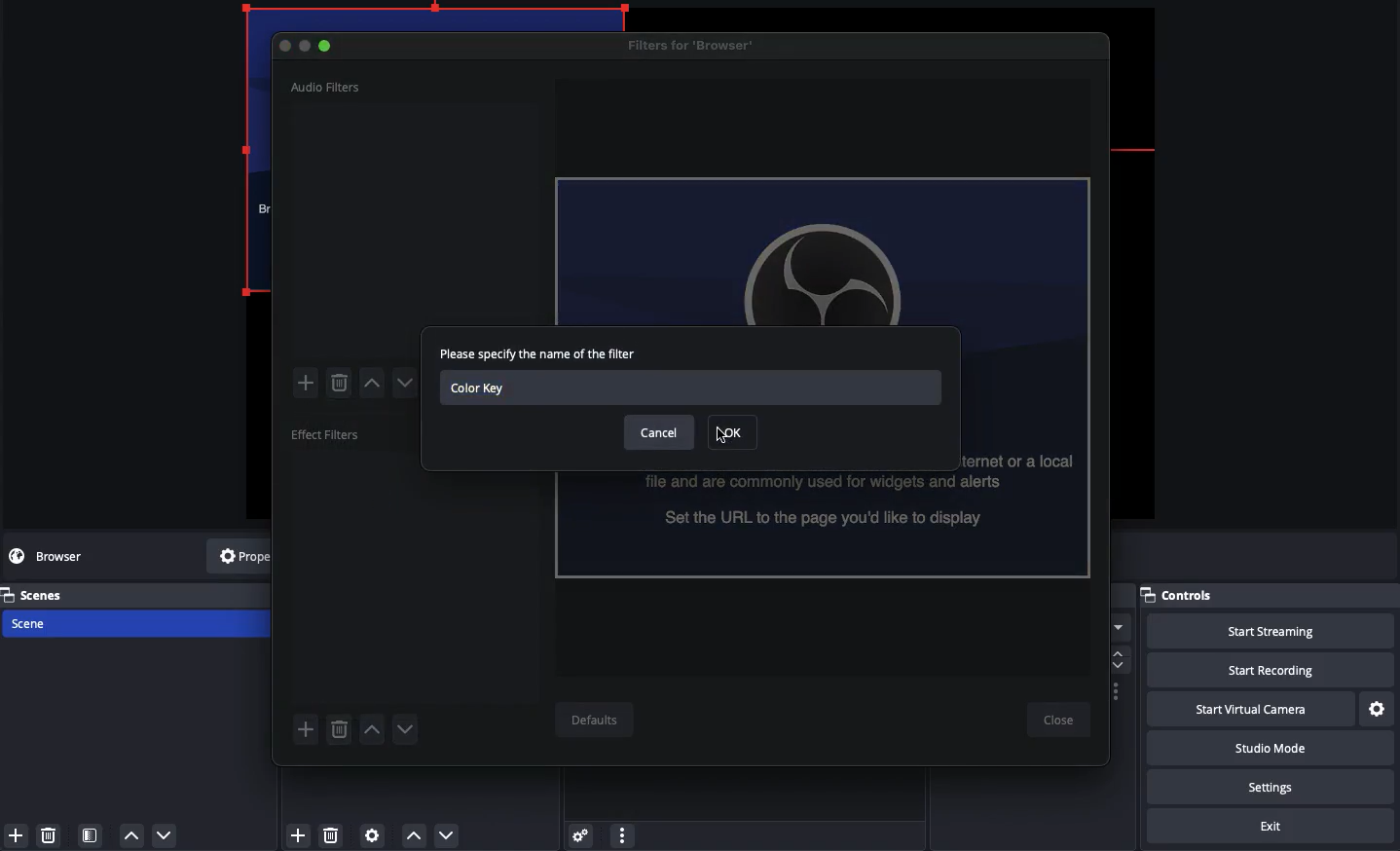 The height and width of the screenshot is (851, 1400). What do you see at coordinates (338, 725) in the screenshot?
I see `delete` at bounding box center [338, 725].